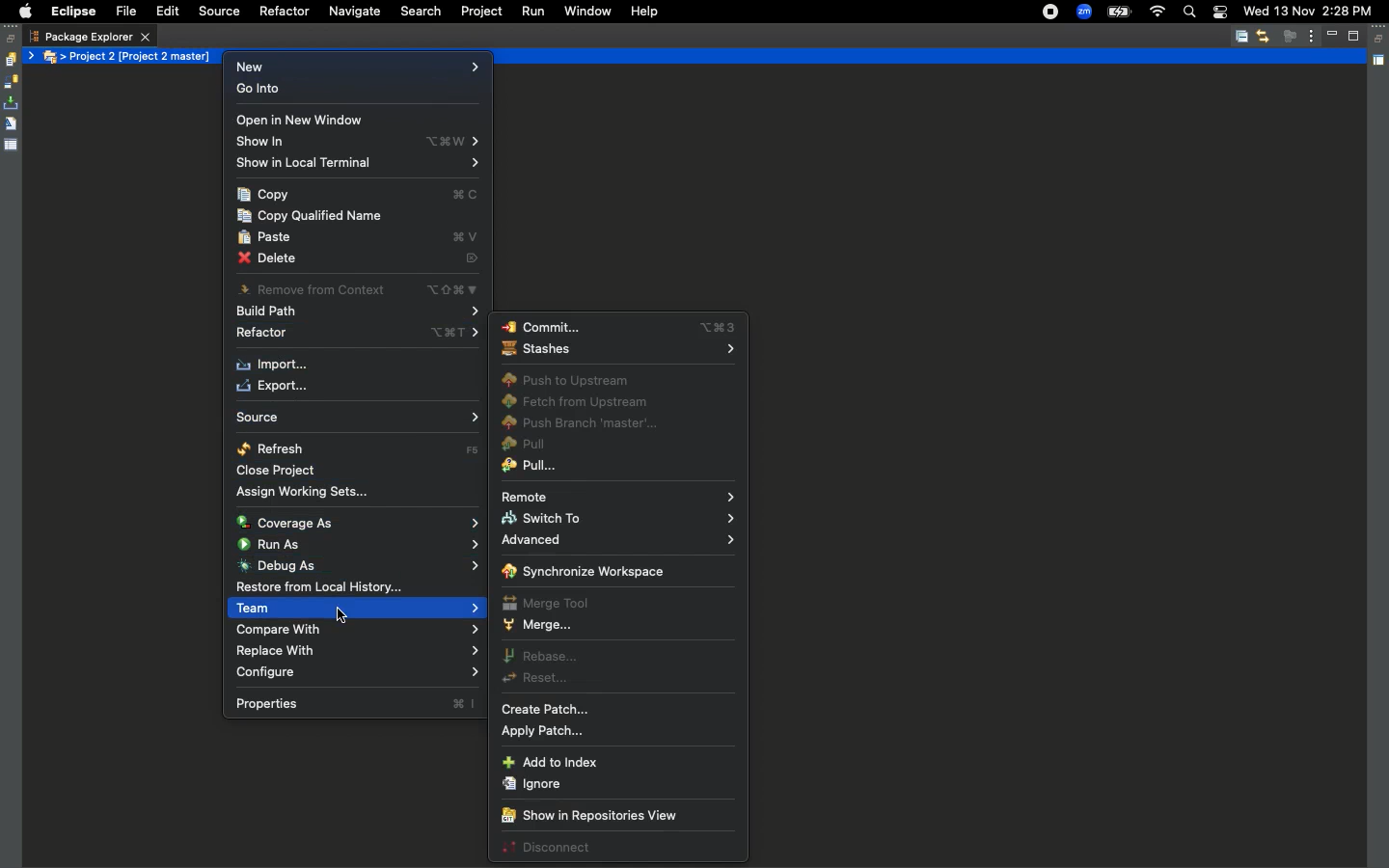  Describe the element at coordinates (357, 628) in the screenshot. I see `Team` at that location.